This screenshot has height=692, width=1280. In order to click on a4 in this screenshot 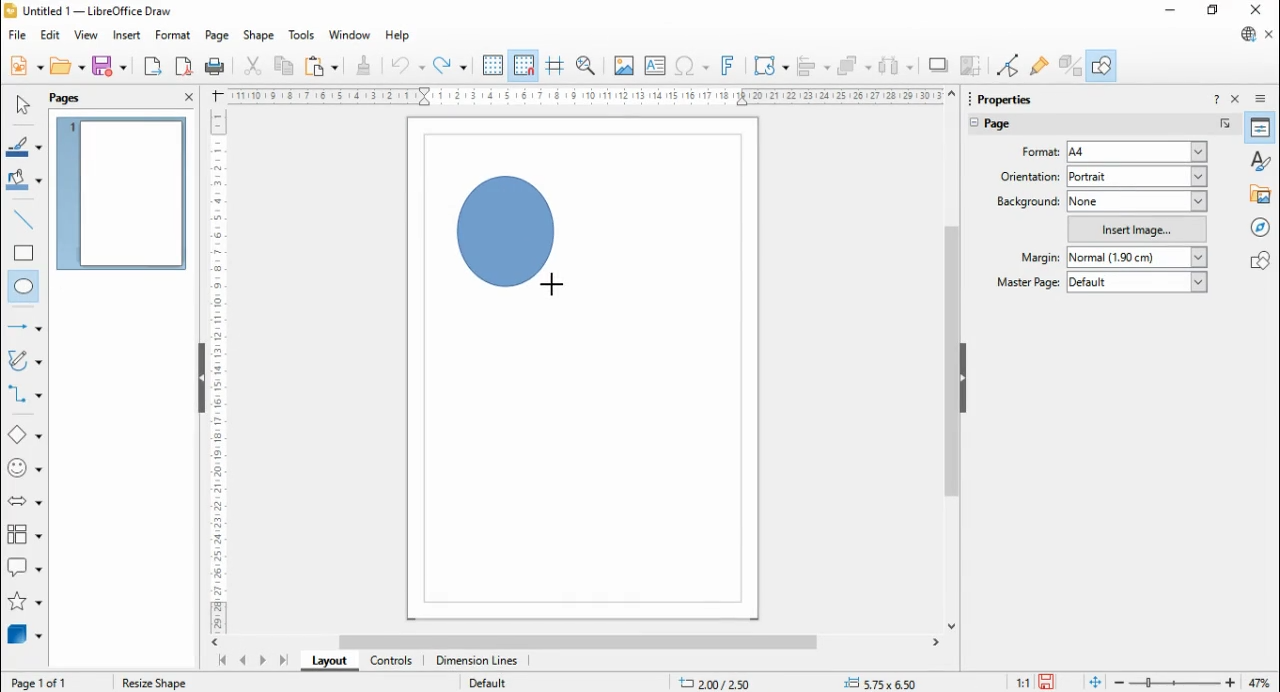, I will do `click(1136, 152)`.